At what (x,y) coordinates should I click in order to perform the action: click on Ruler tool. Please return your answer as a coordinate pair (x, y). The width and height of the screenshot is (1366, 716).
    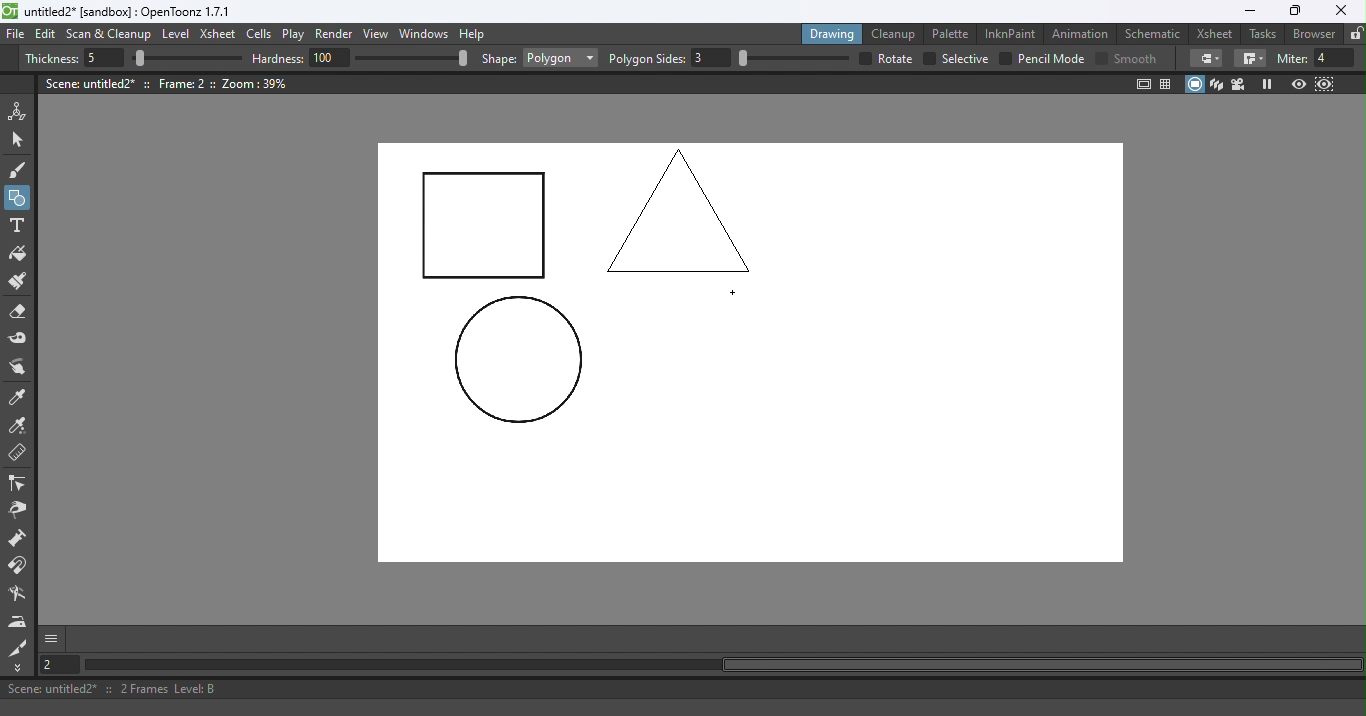
    Looking at the image, I should click on (18, 455).